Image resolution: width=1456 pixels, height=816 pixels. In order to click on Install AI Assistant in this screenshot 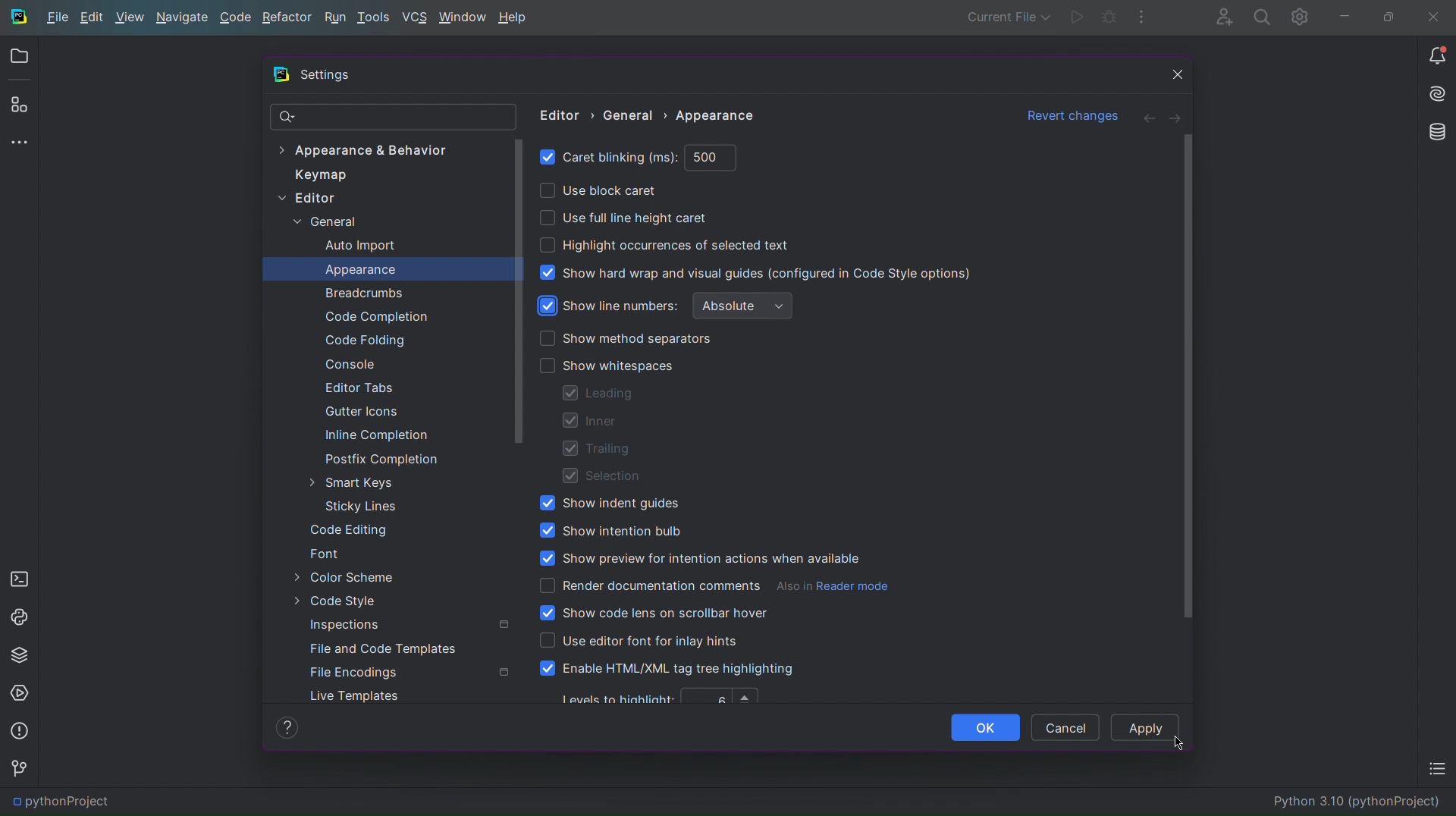, I will do `click(1435, 96)`.